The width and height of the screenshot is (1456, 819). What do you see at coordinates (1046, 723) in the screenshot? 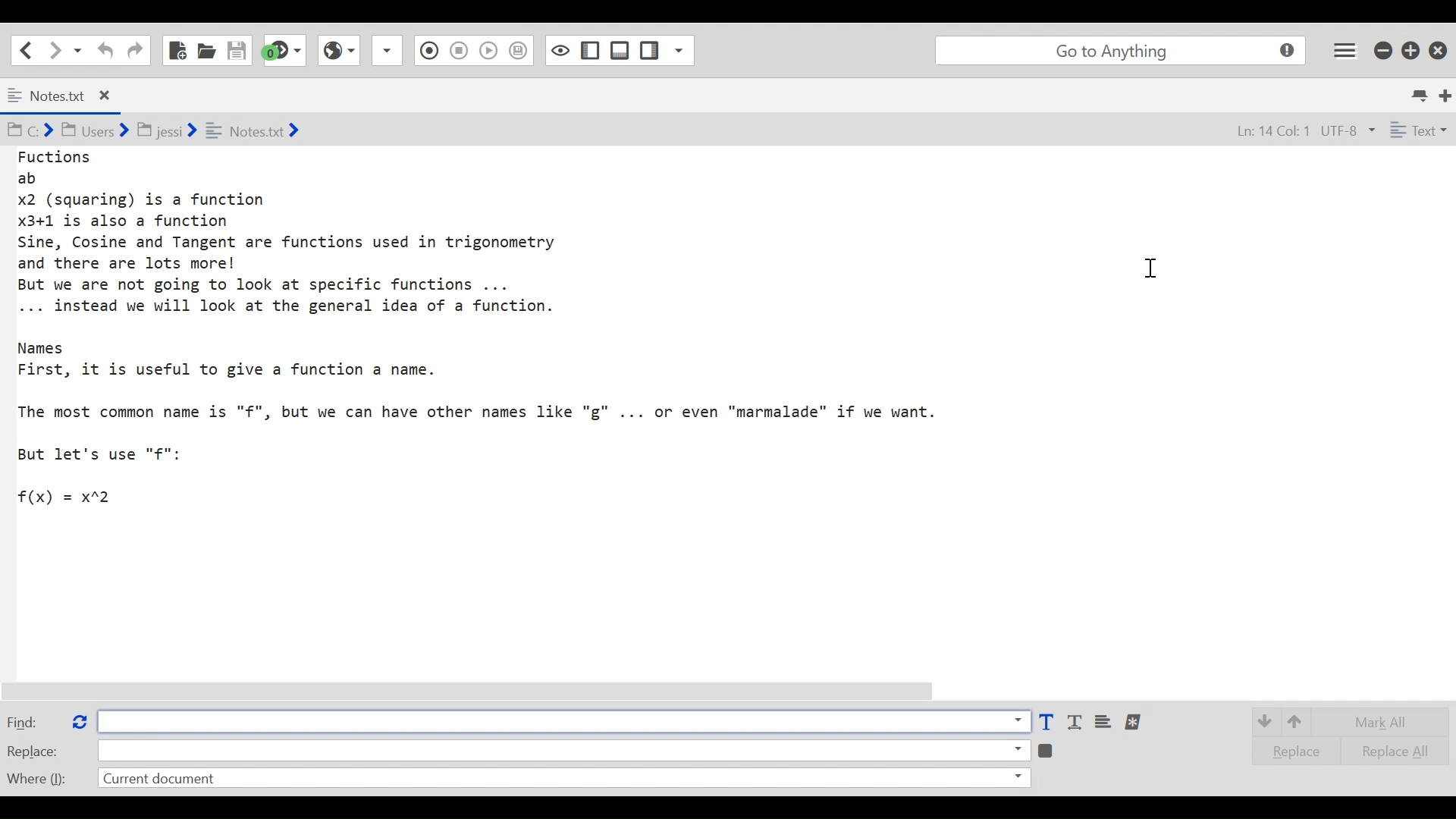
I see `match case` at bounding box center [1046, 723].